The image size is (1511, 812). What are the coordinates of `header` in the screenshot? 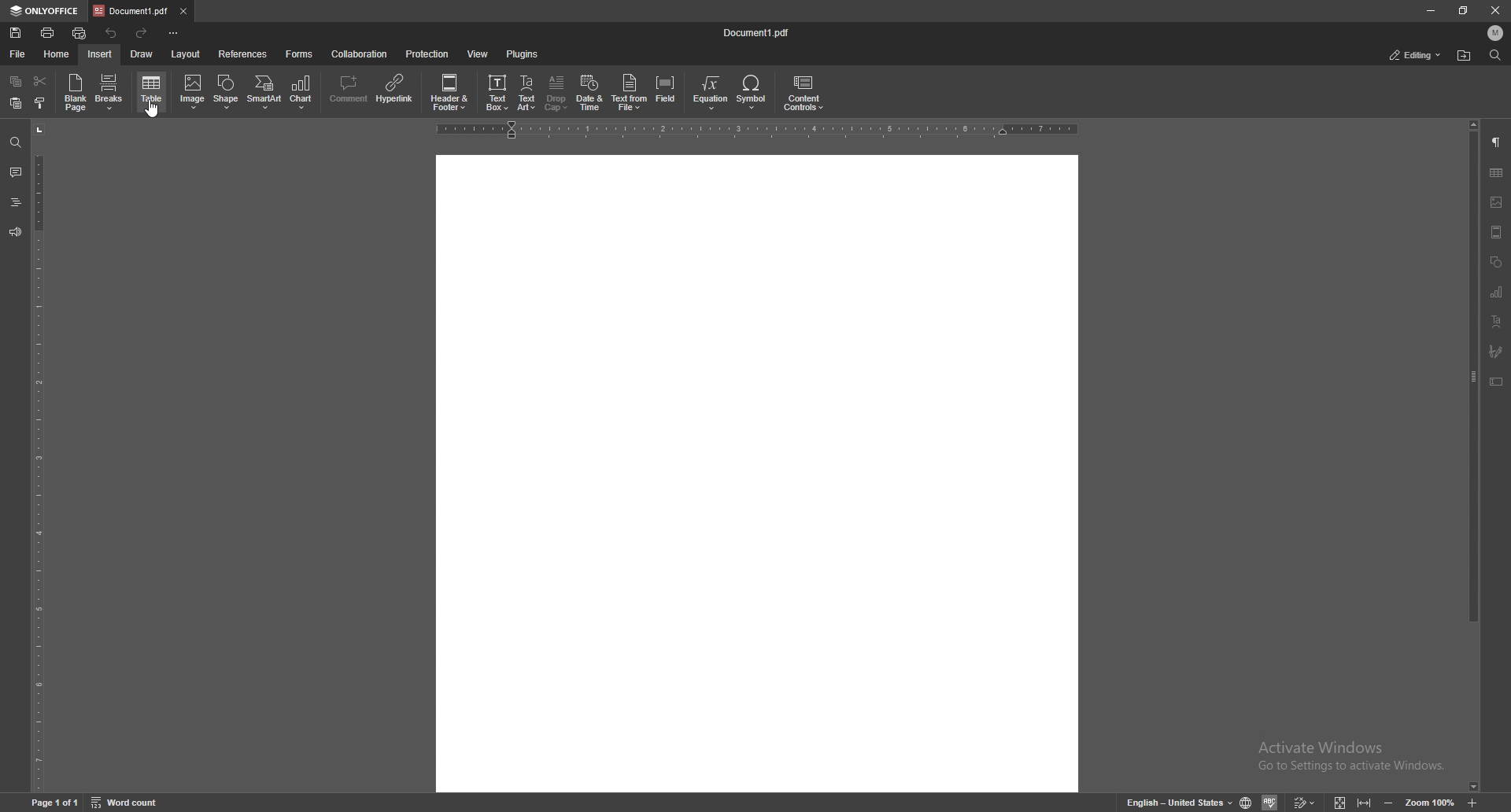 It's located at (1498, 234).